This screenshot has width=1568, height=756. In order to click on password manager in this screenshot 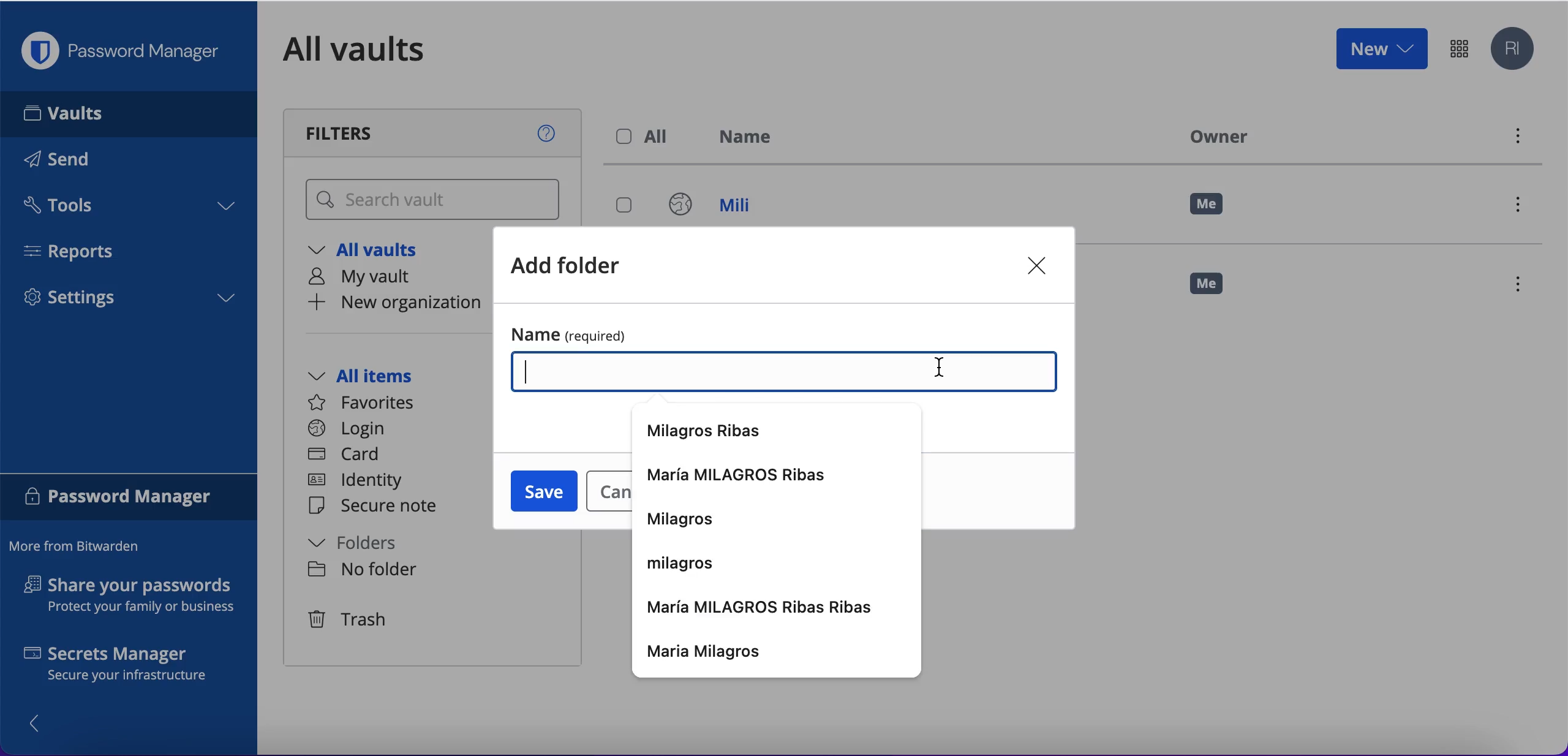, I will do `click(126, 51)`.